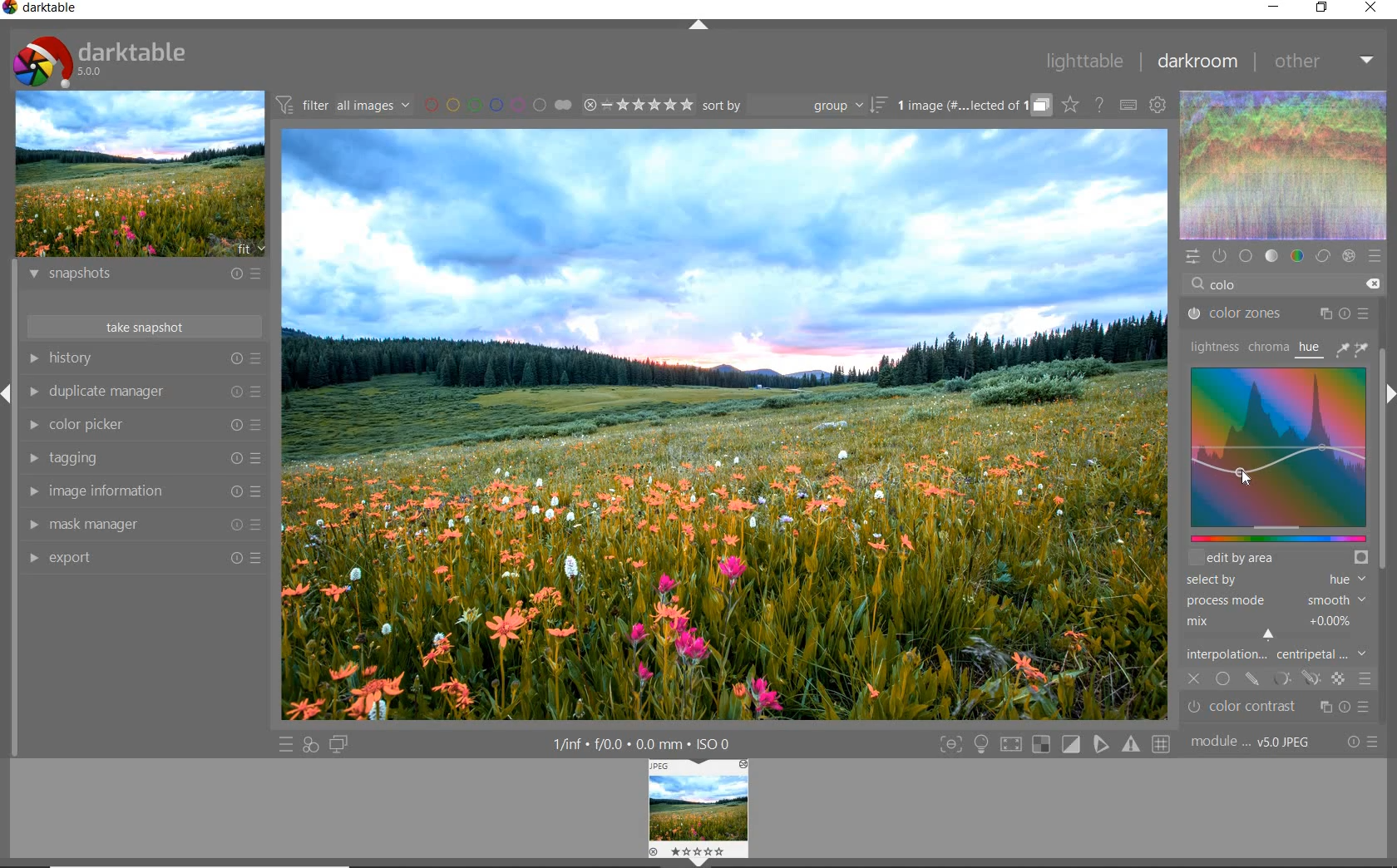 This screenshot has width=1397, height=868. Describe the element at coordinates (1276, 8) in the screenshot. I see `minimize` at that location.